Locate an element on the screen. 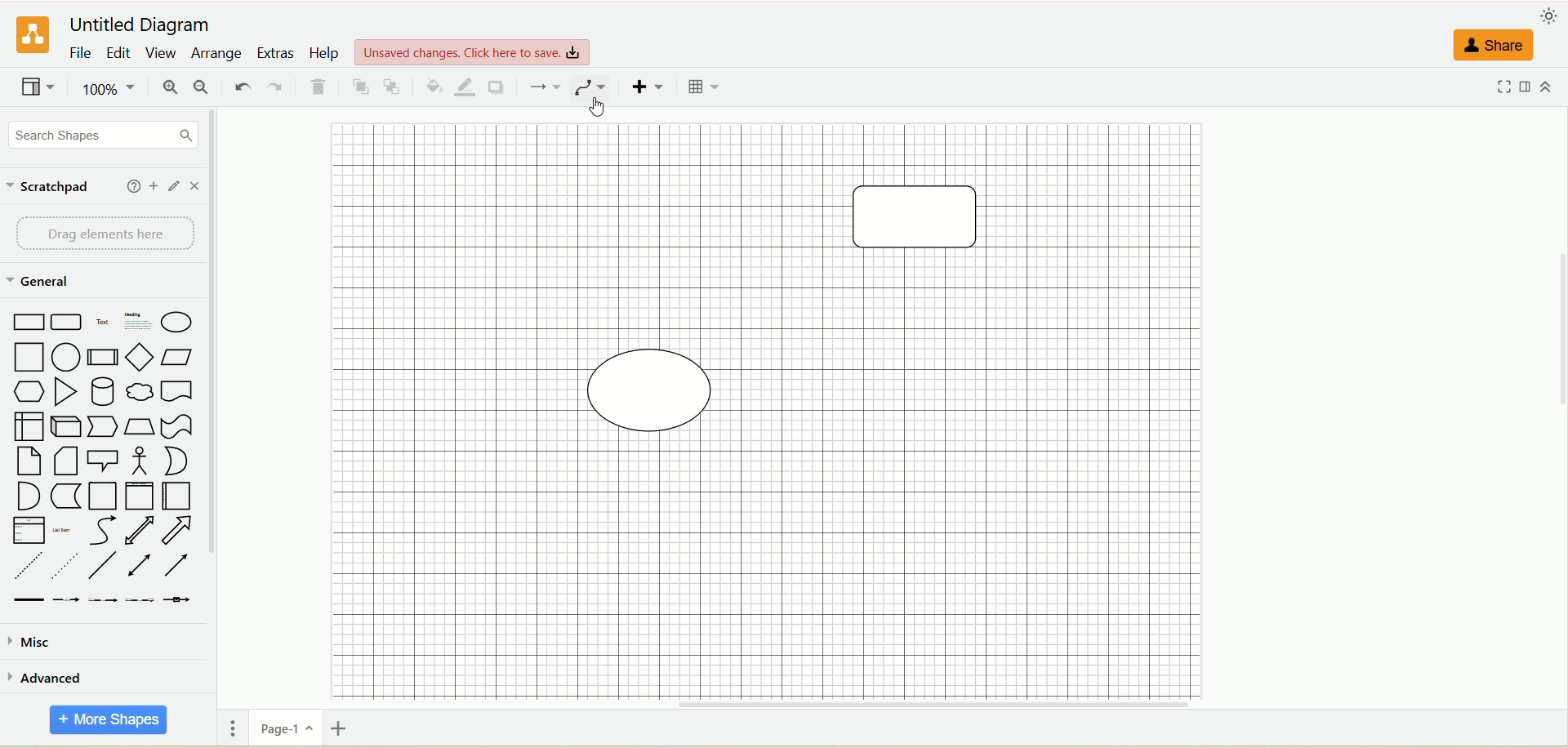  undo is located at coordinates (239, 86).